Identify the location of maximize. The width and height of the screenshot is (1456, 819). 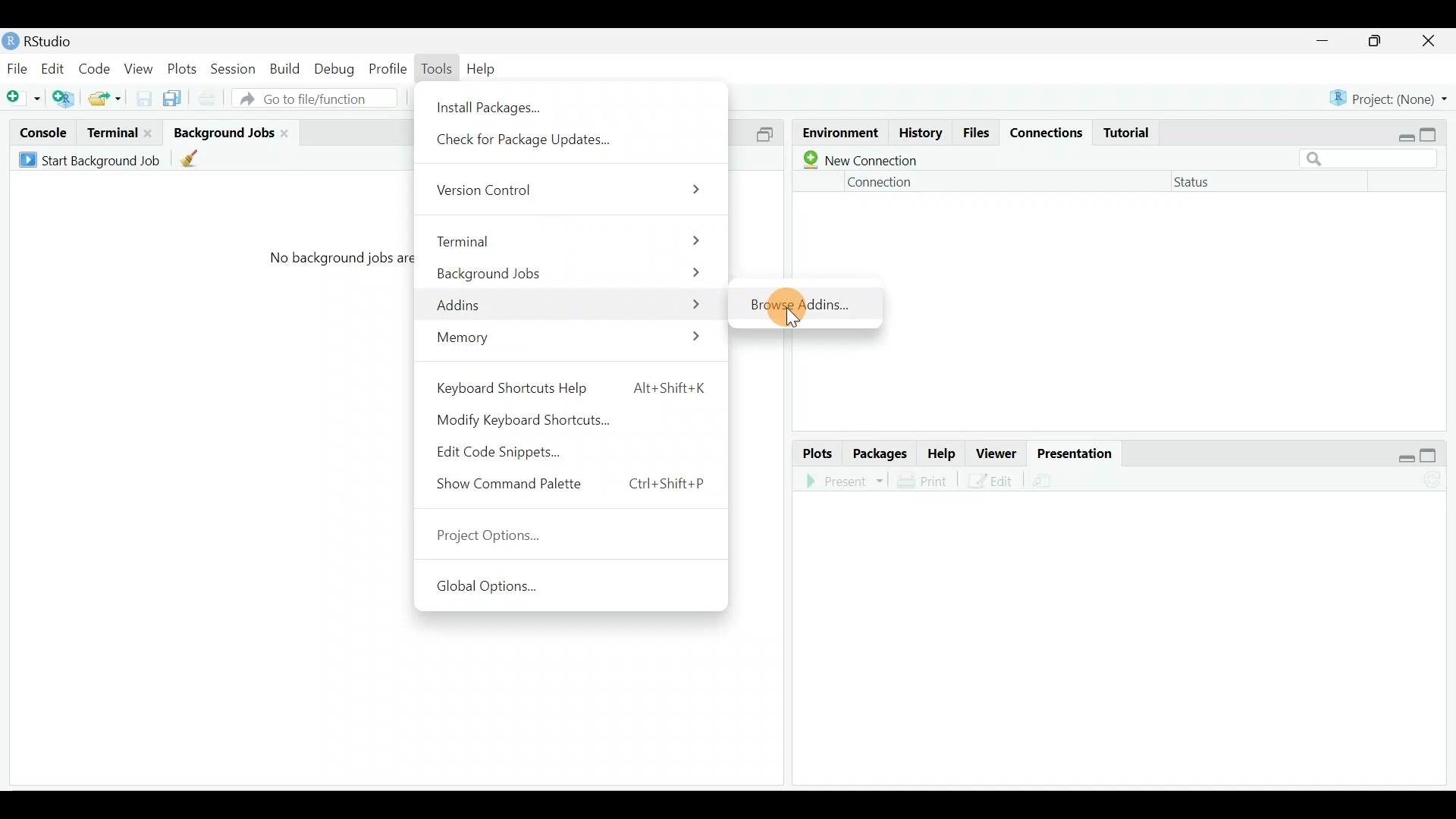
(1432, 451).